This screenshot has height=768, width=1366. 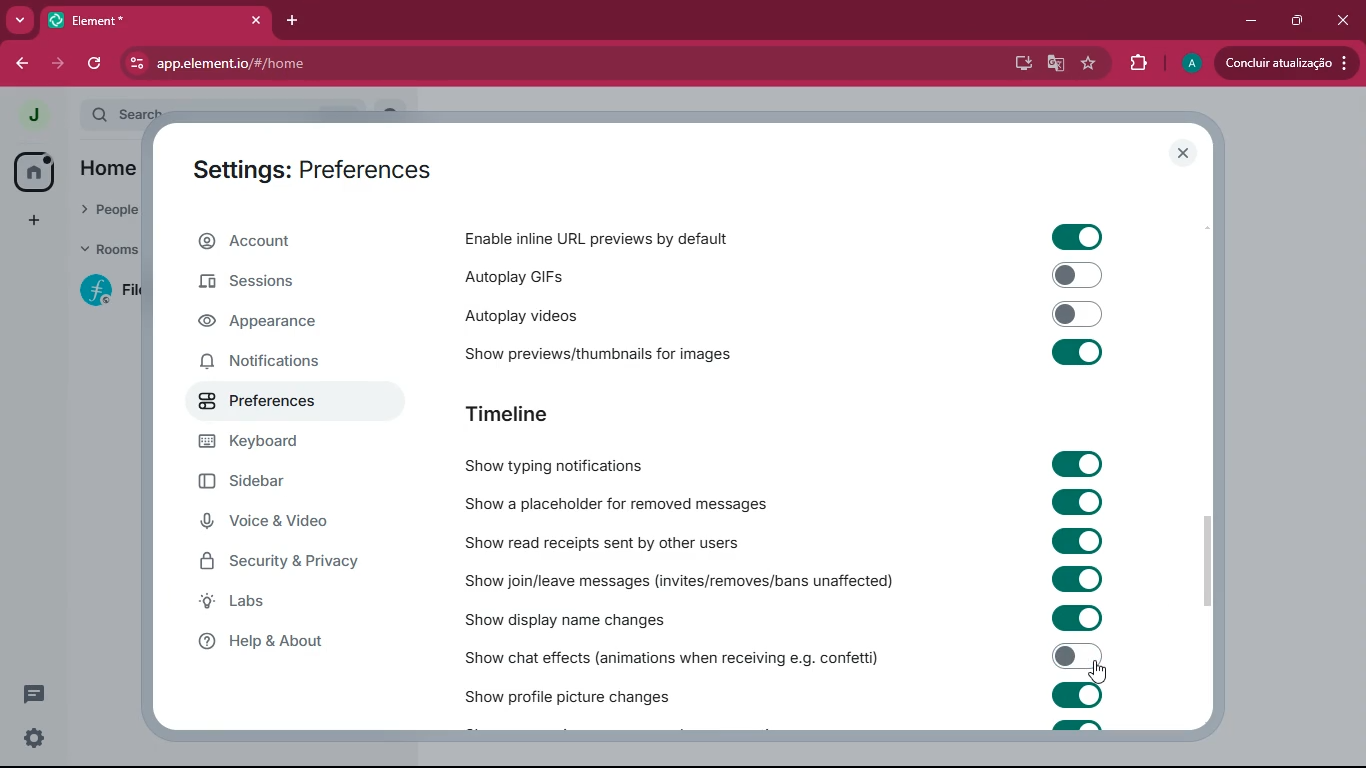 What do you see at coordinates (1287, 63) in the screenshot?
I see `update` at bounding box center [1287, 63].